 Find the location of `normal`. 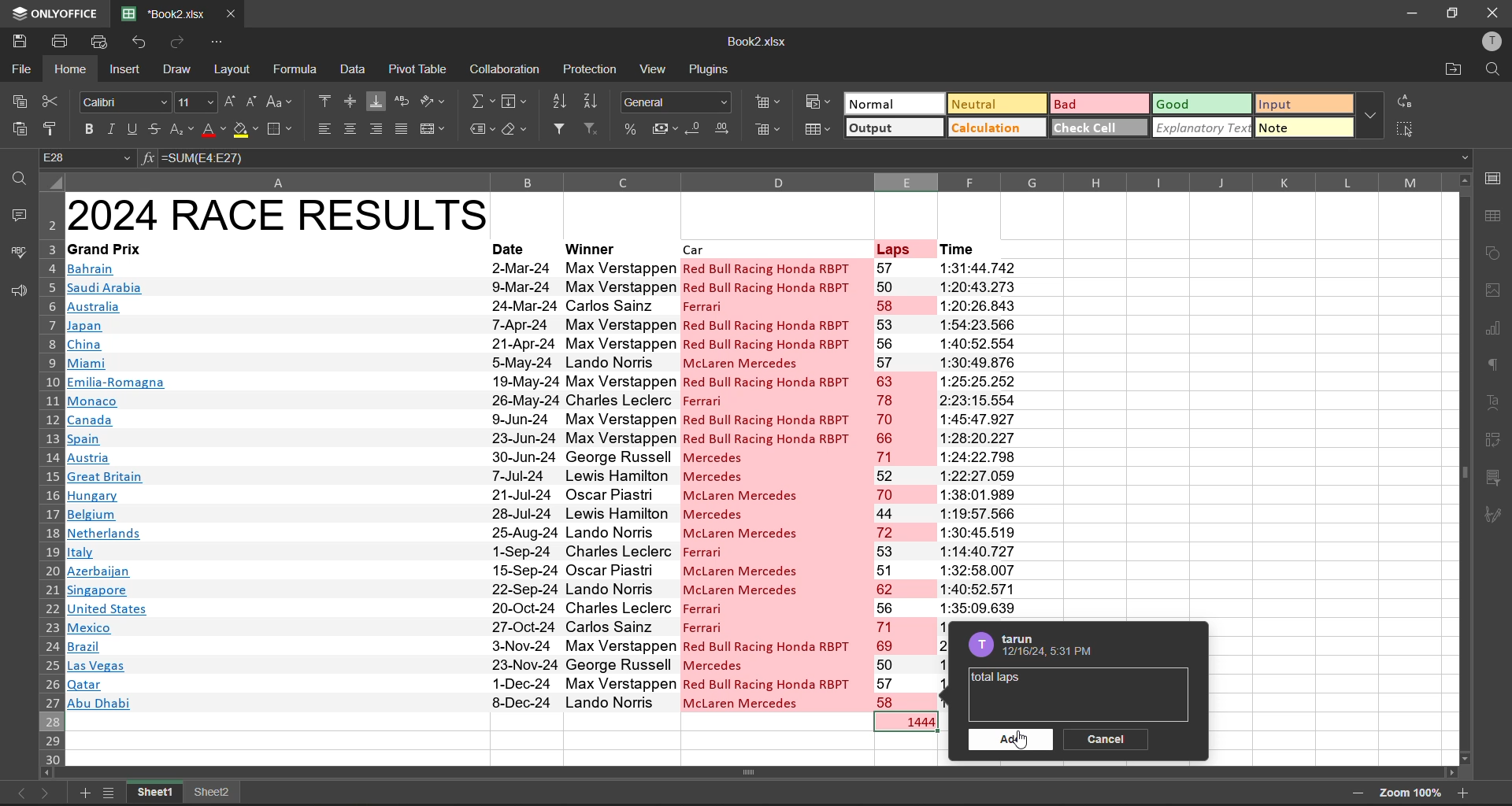

normal is located at coordinates (895, 104).